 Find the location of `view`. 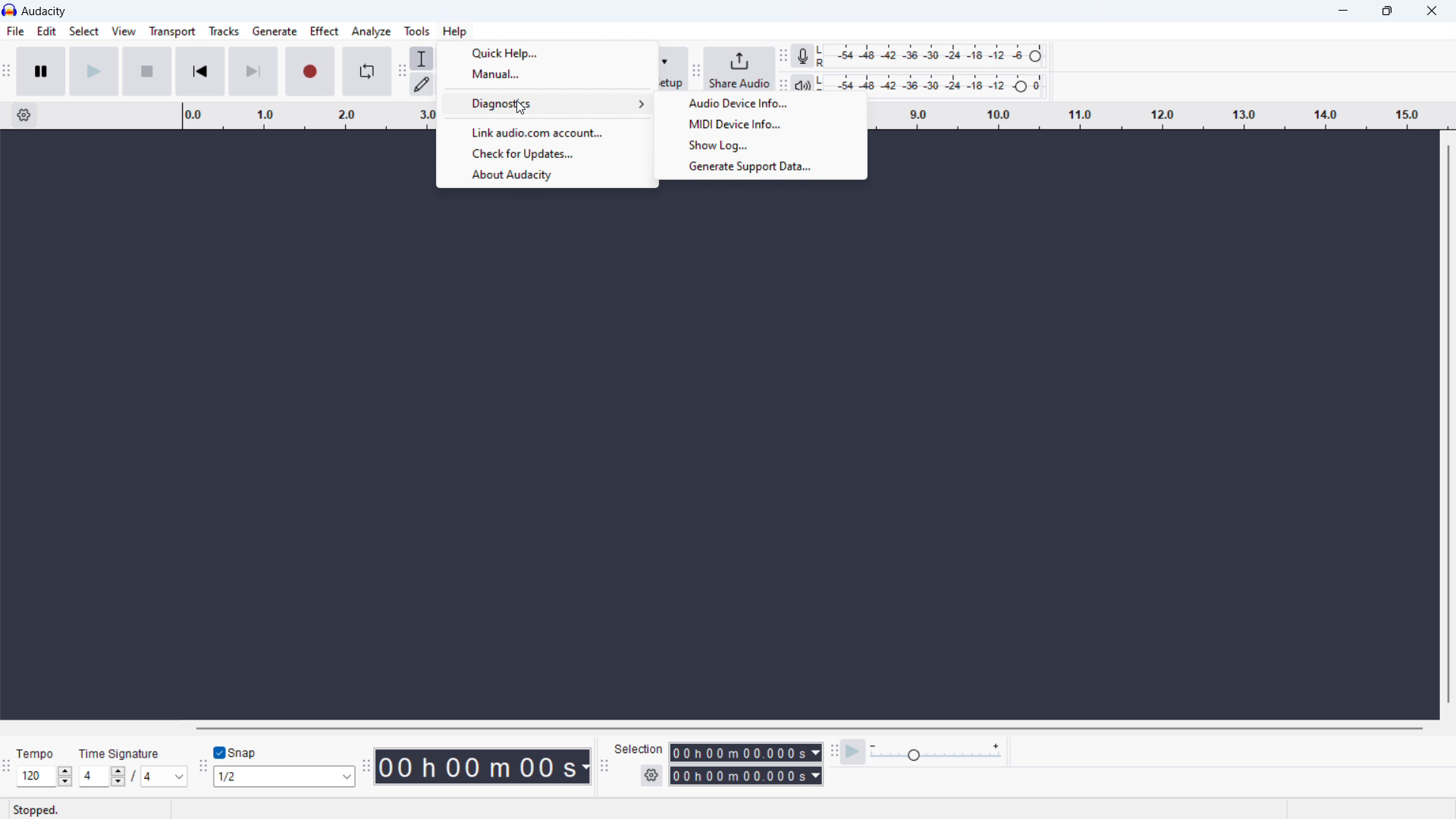

view is located at coordinates (124, 31).